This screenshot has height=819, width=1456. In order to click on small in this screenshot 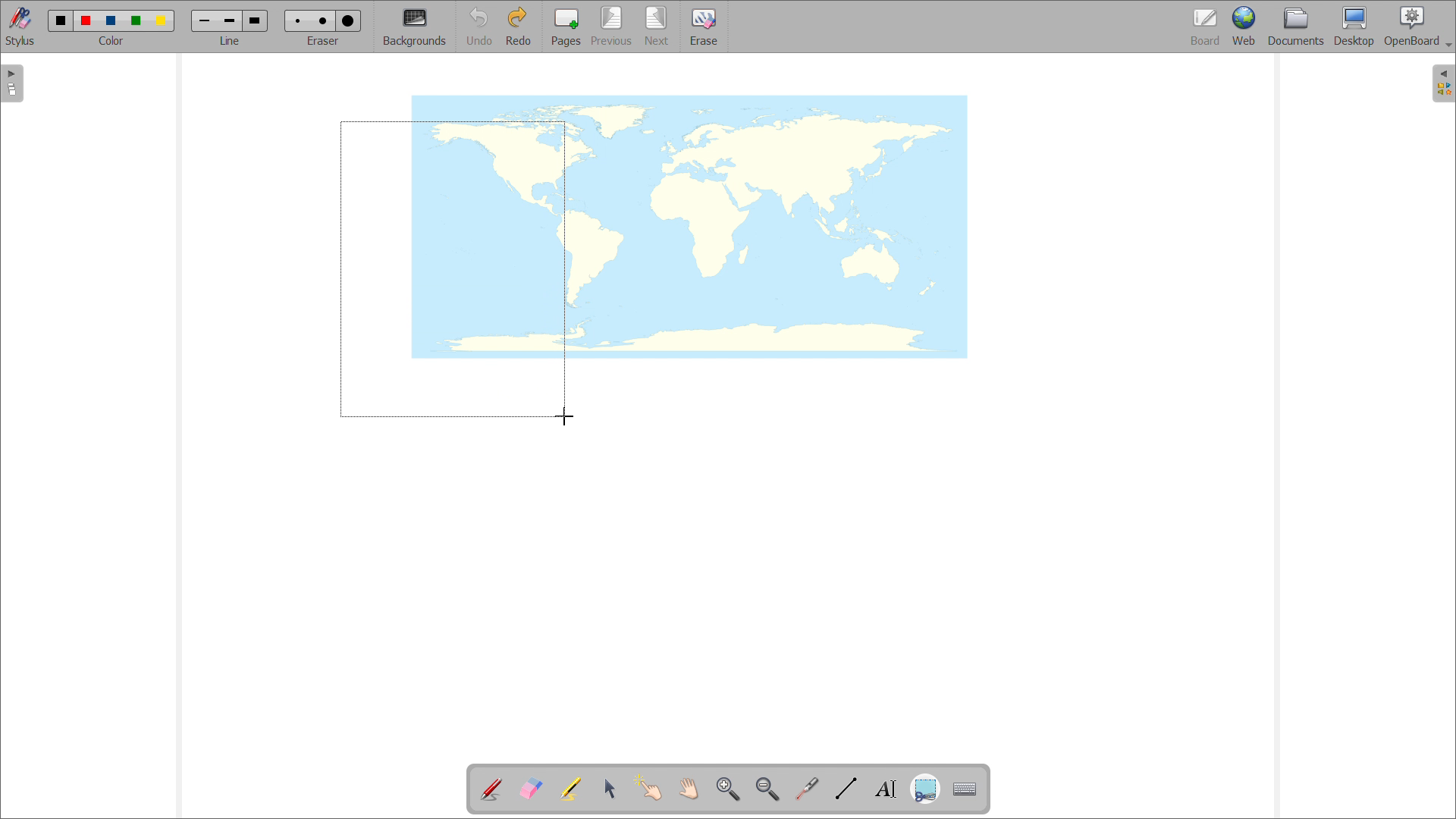, I will do `click(205, 20)`.